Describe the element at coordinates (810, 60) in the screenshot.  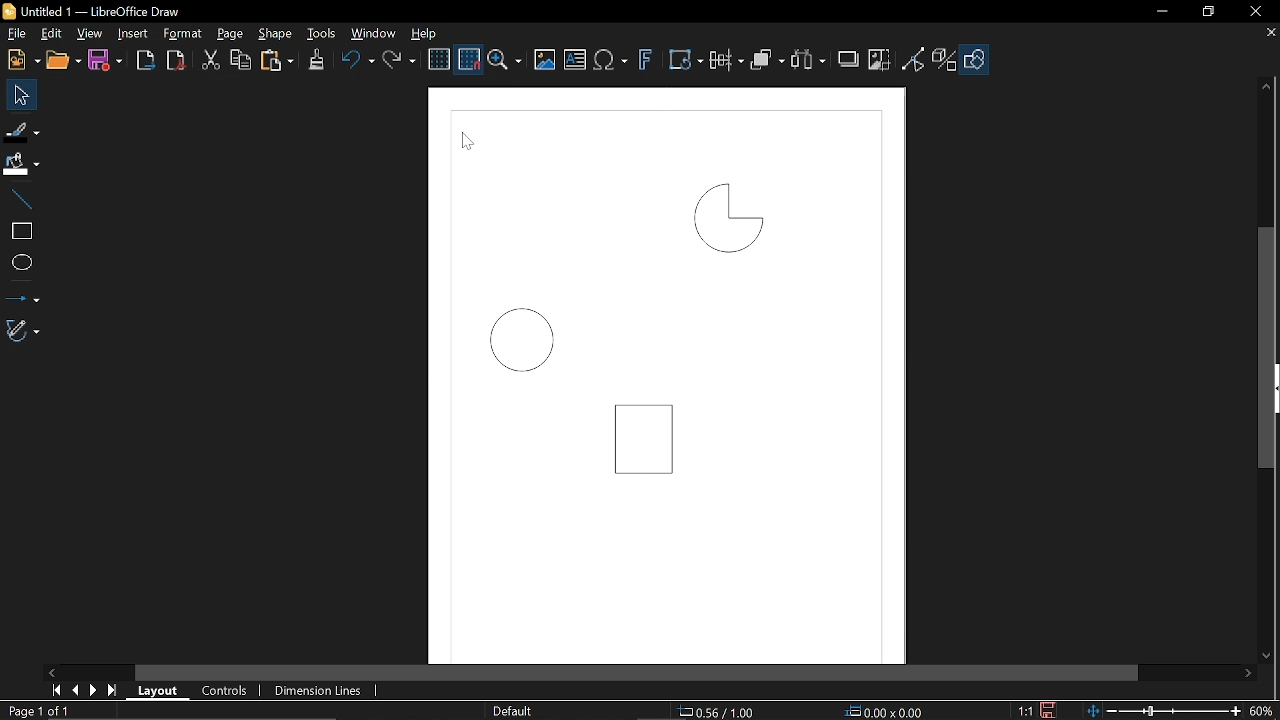
I see `Select at least three objects to distribute` at that location.